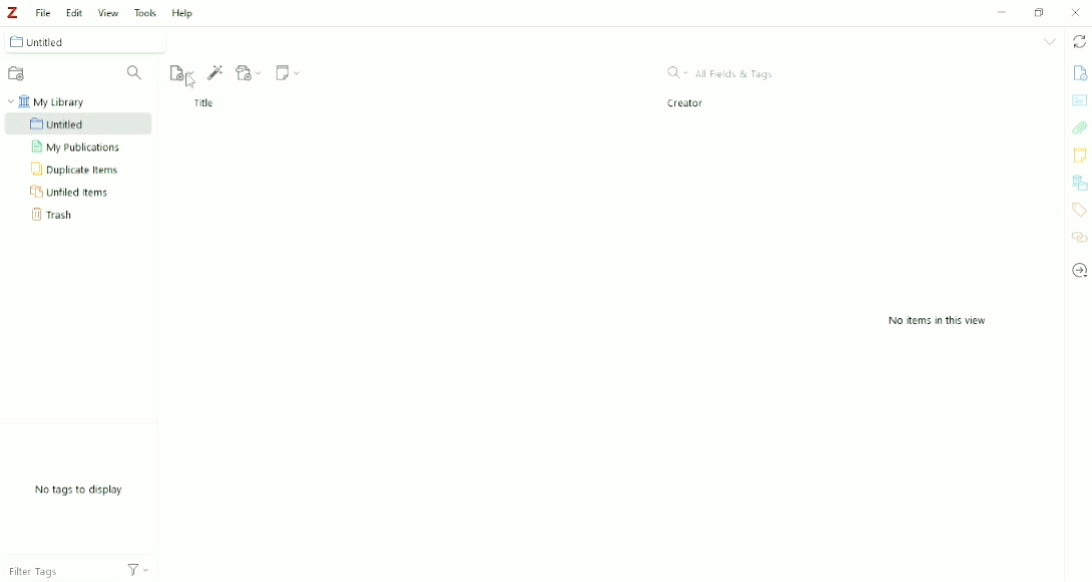 The height and width of the screenshot is (582, 1092). Describe the element at coordinates (1076, 12) in the screenshot. I see `Close` at that location.